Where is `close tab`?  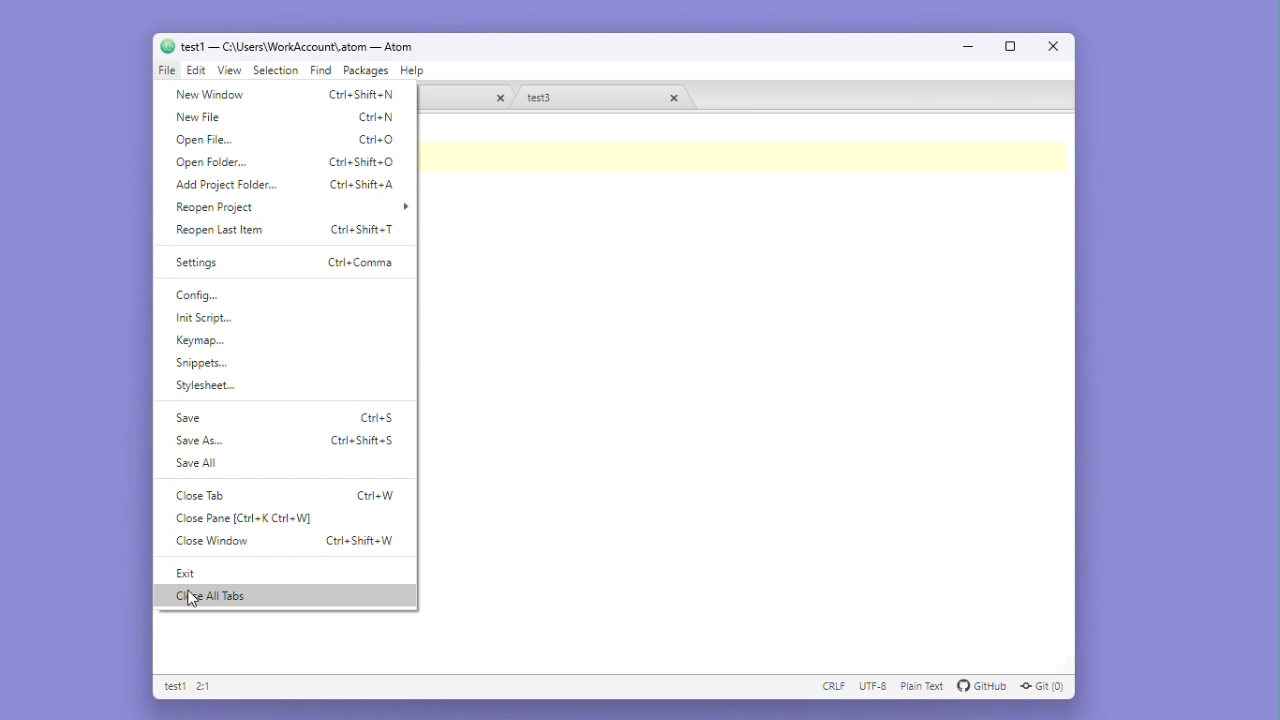 close tab is located at coordinates (207, 497).